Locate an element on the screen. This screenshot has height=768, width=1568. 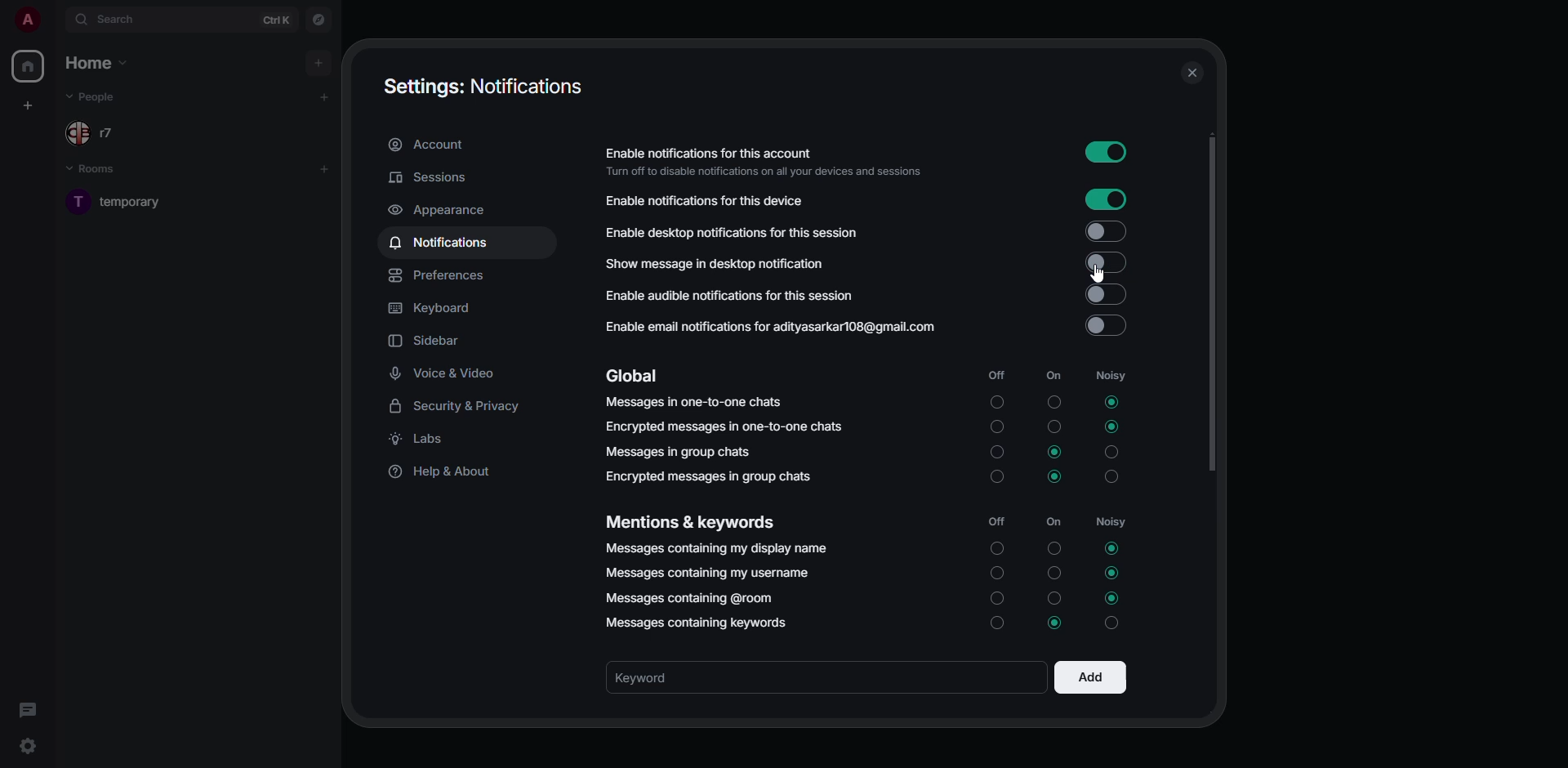
Off Unselected is located at coordinates (998, 404).